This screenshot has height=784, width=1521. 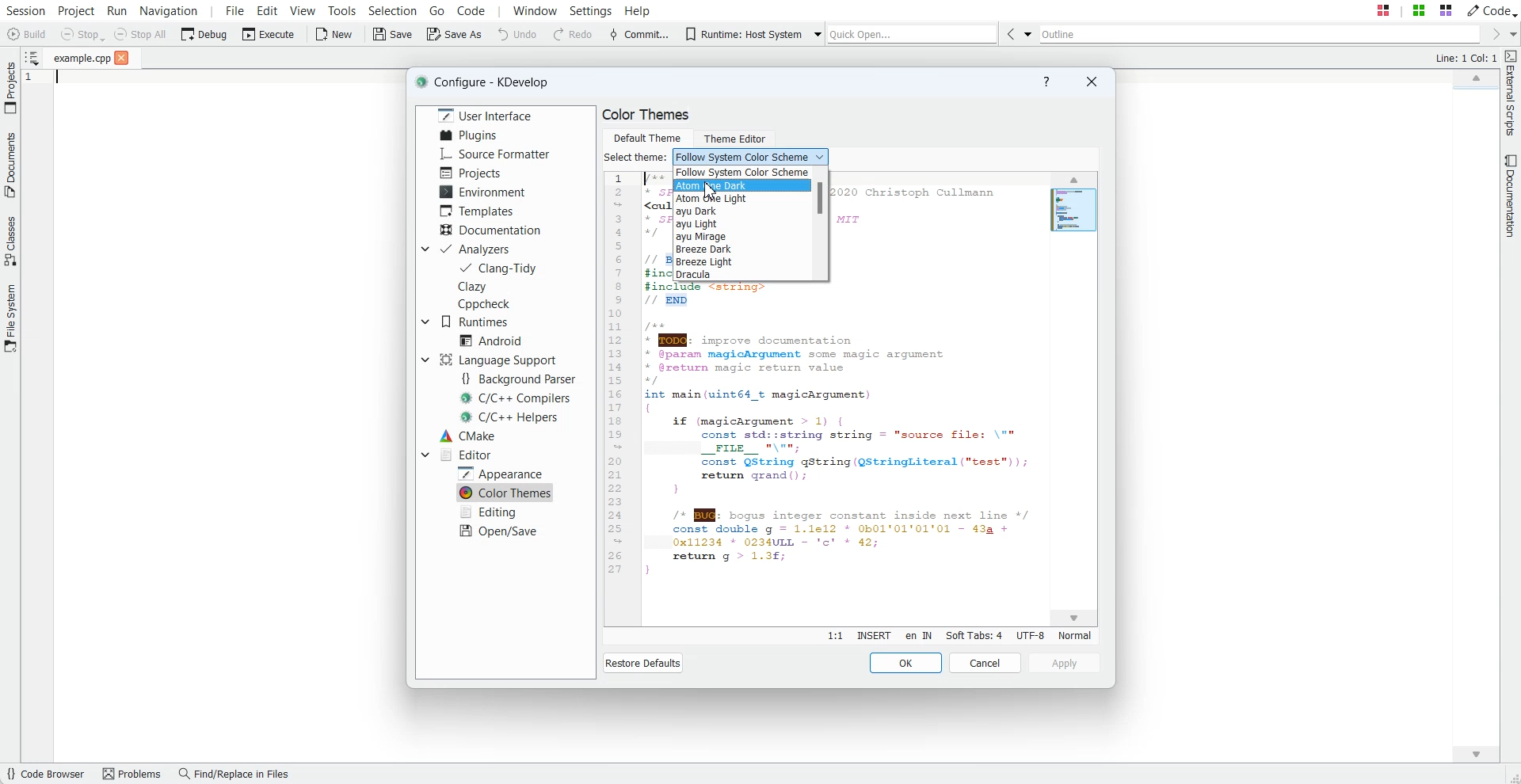 What do you see at coordinates (471, 173) in the screenshot?
I see `Projects` at bounding box center [471, 173].